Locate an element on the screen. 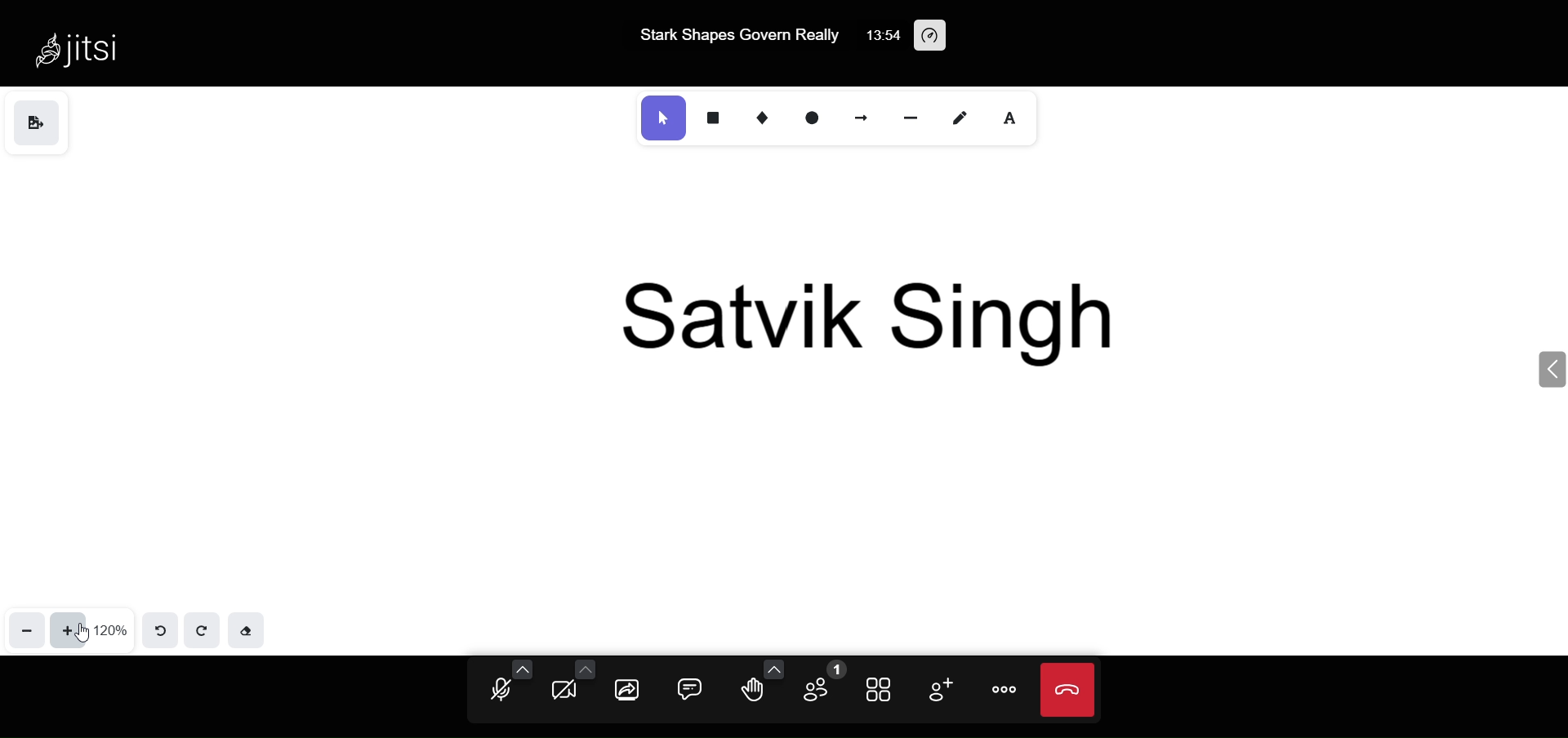 The height and width of the screenshot is (738, 1568). raise hand is located at coordinates (754, 692).